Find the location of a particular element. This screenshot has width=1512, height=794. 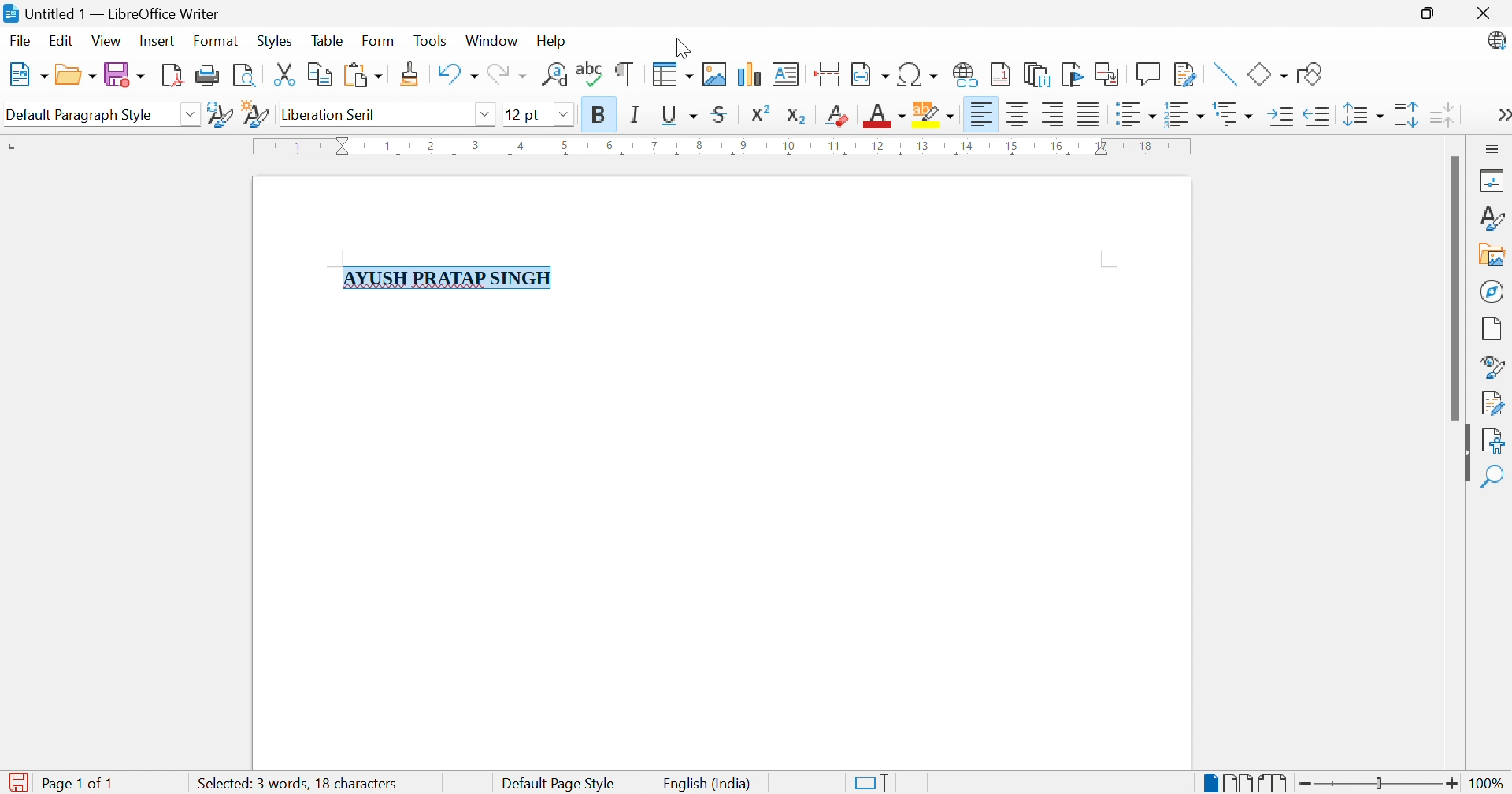

Zoom In is located at coordinates (1452, 782).